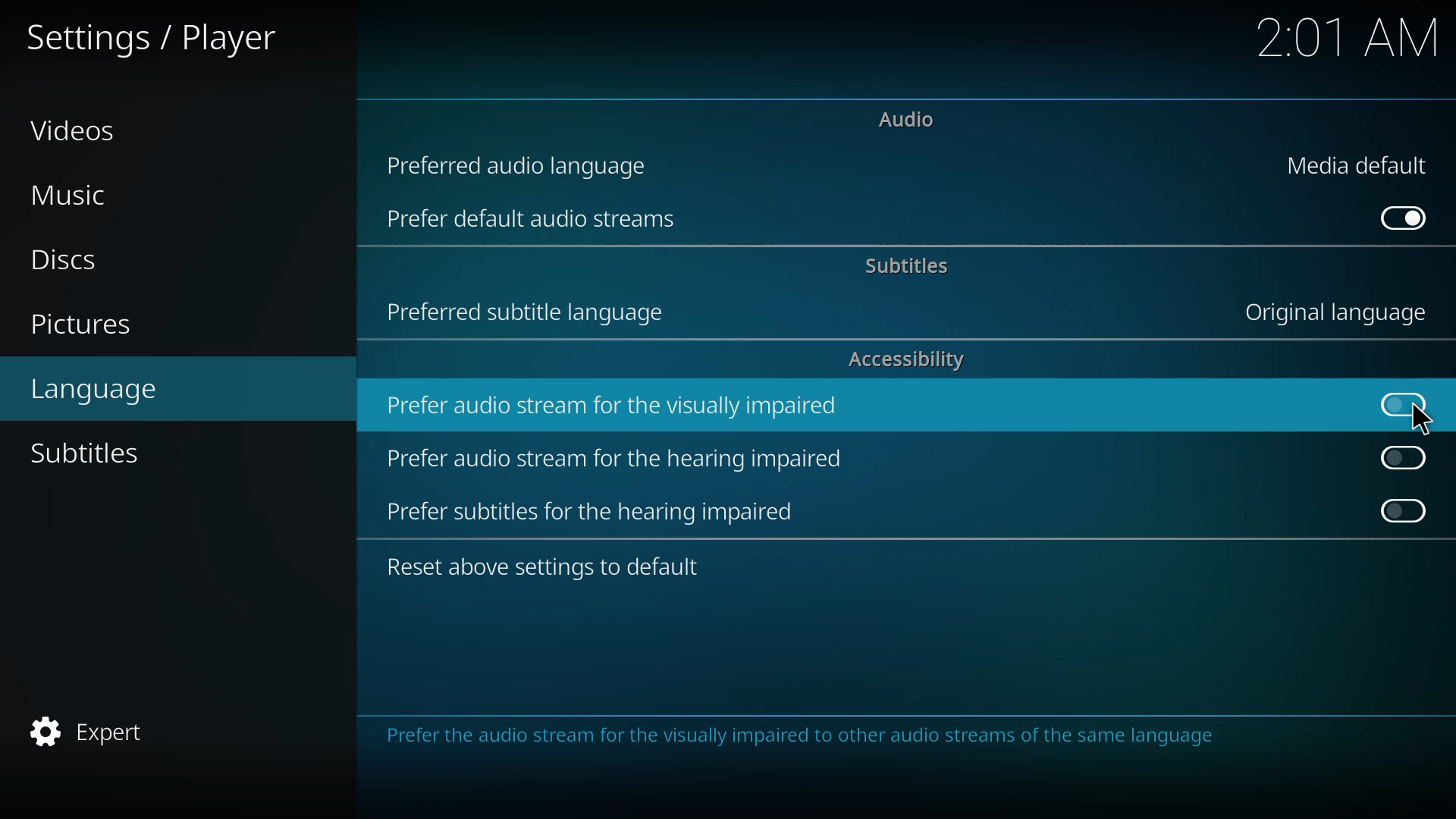  I want to click on click to enable, so click(1403, 403).